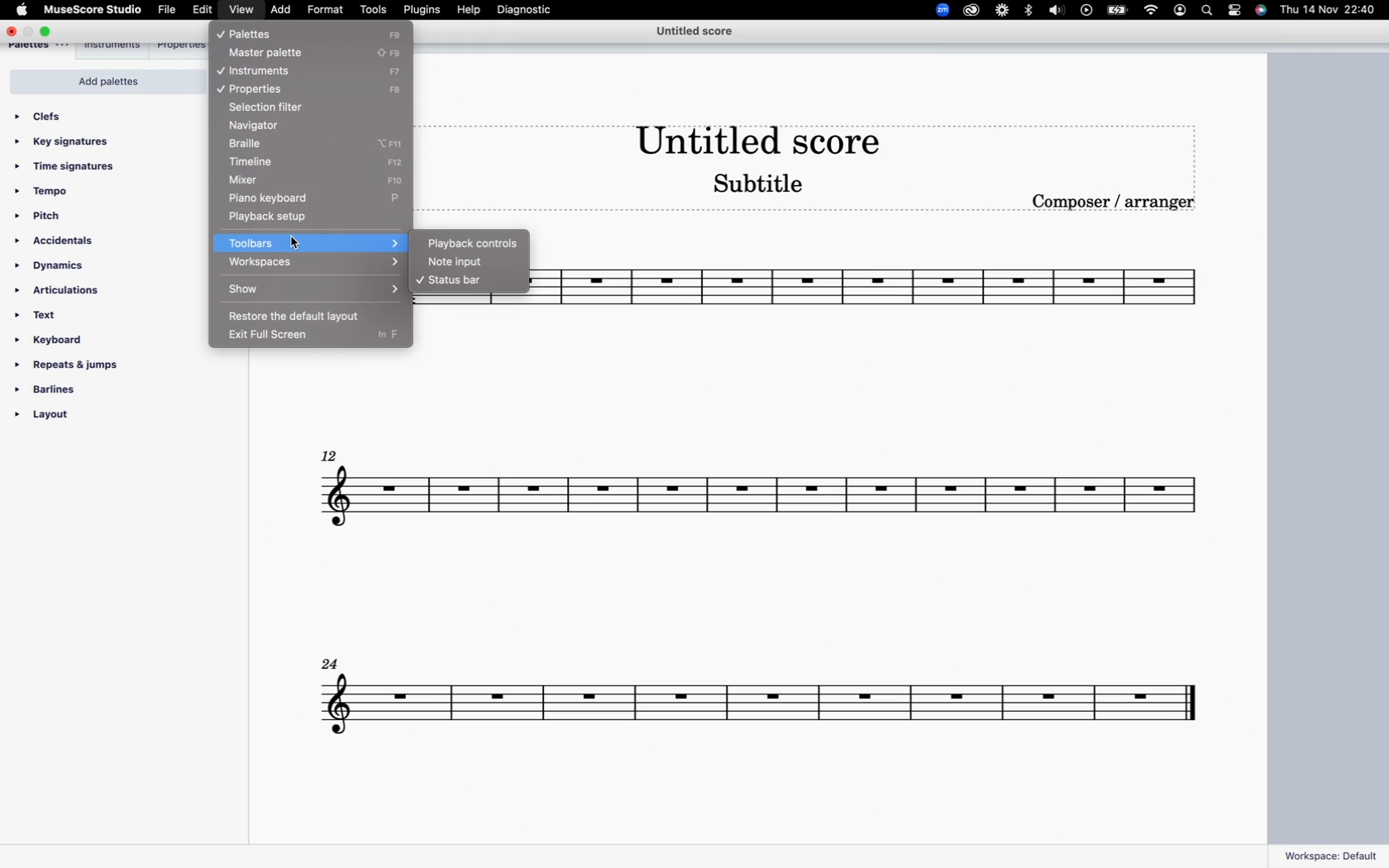 The image size is (1389, 868). What do you see at coordinates (60, 389) in the screenshot?
I see `barlines` at bounding box center [60, 389].